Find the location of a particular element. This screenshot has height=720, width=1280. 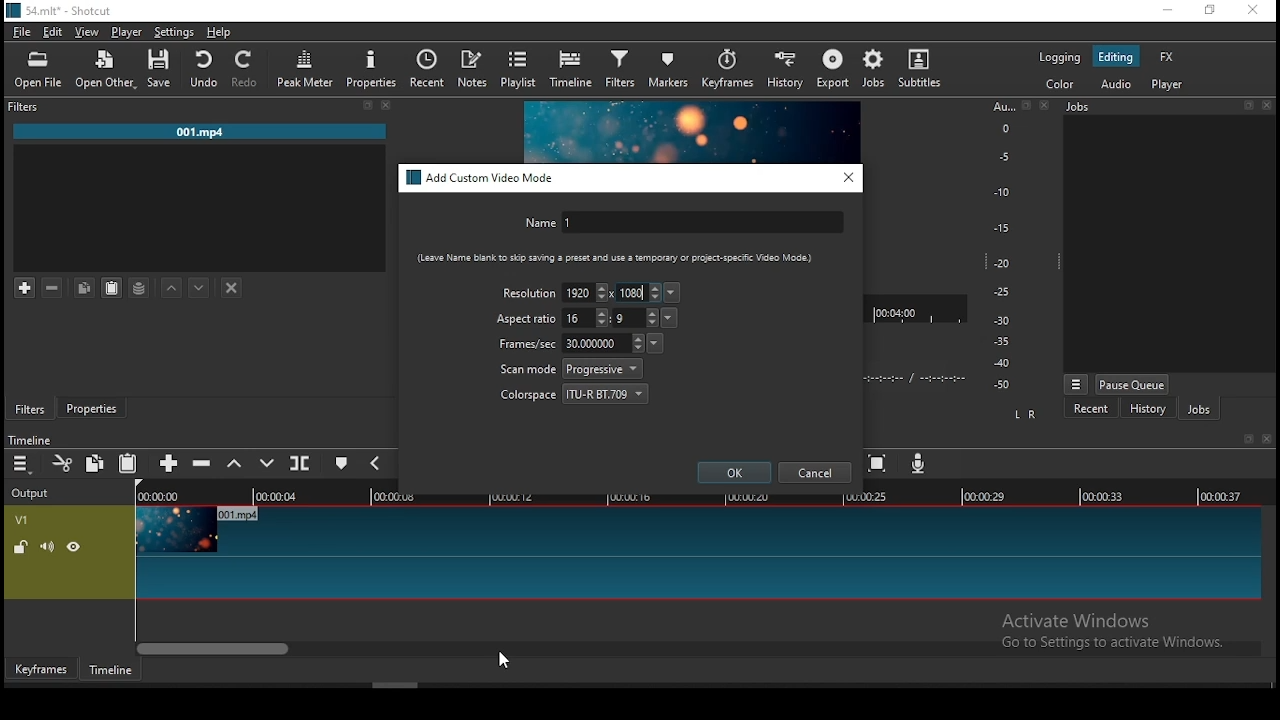

paste is located at coordinates (112, 288).